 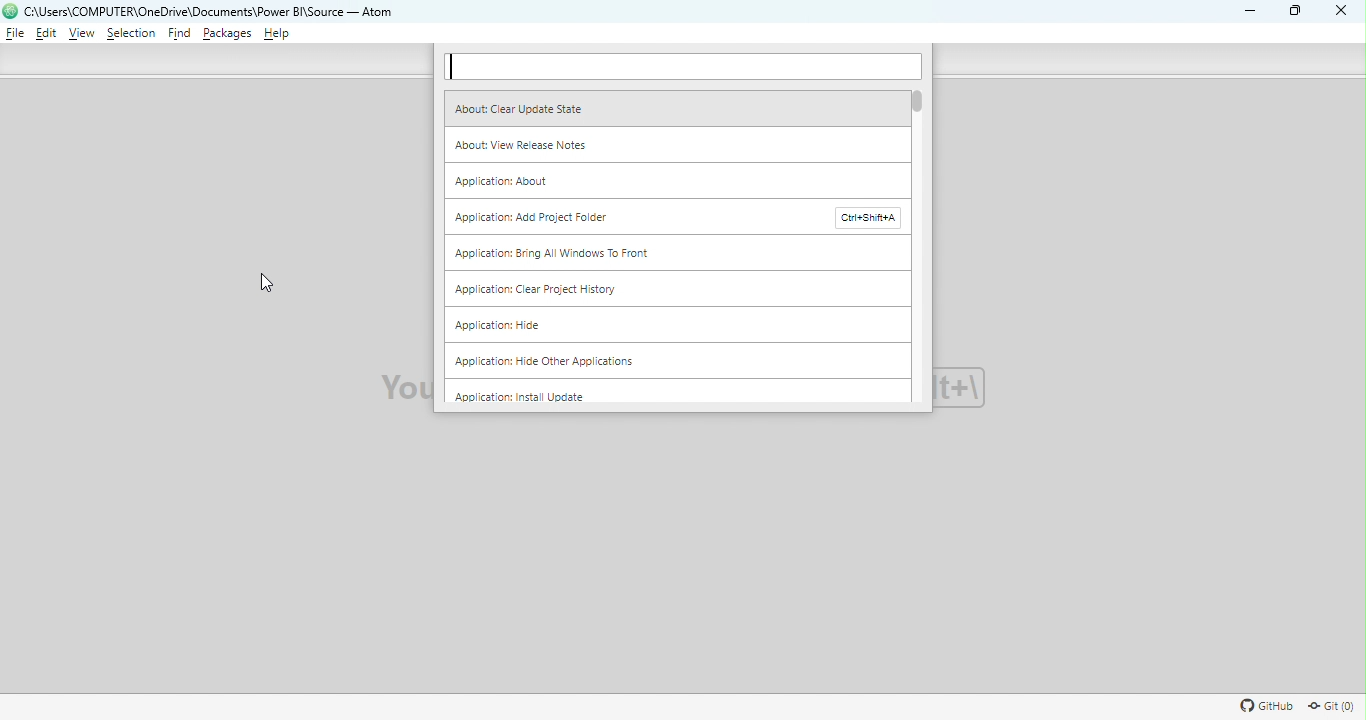 What do you see at coordinates (1298, 12) in the screenshot?
I see `Maximize` at bounding box center [1298, 12].